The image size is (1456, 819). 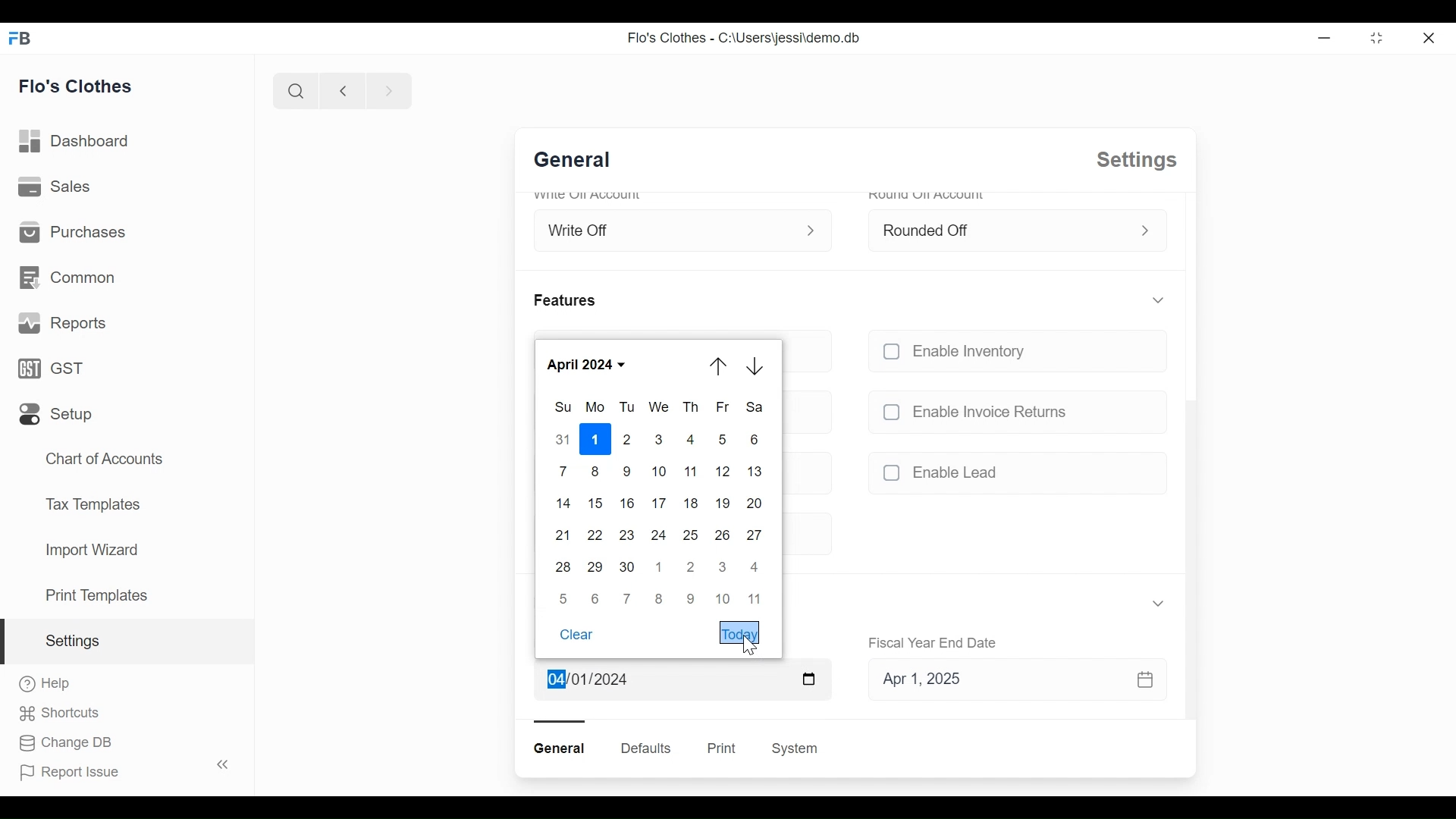 What do you see at coordinates (61, 323) in the screenshot?
I see `Reports` at bounding box center [61, 323].